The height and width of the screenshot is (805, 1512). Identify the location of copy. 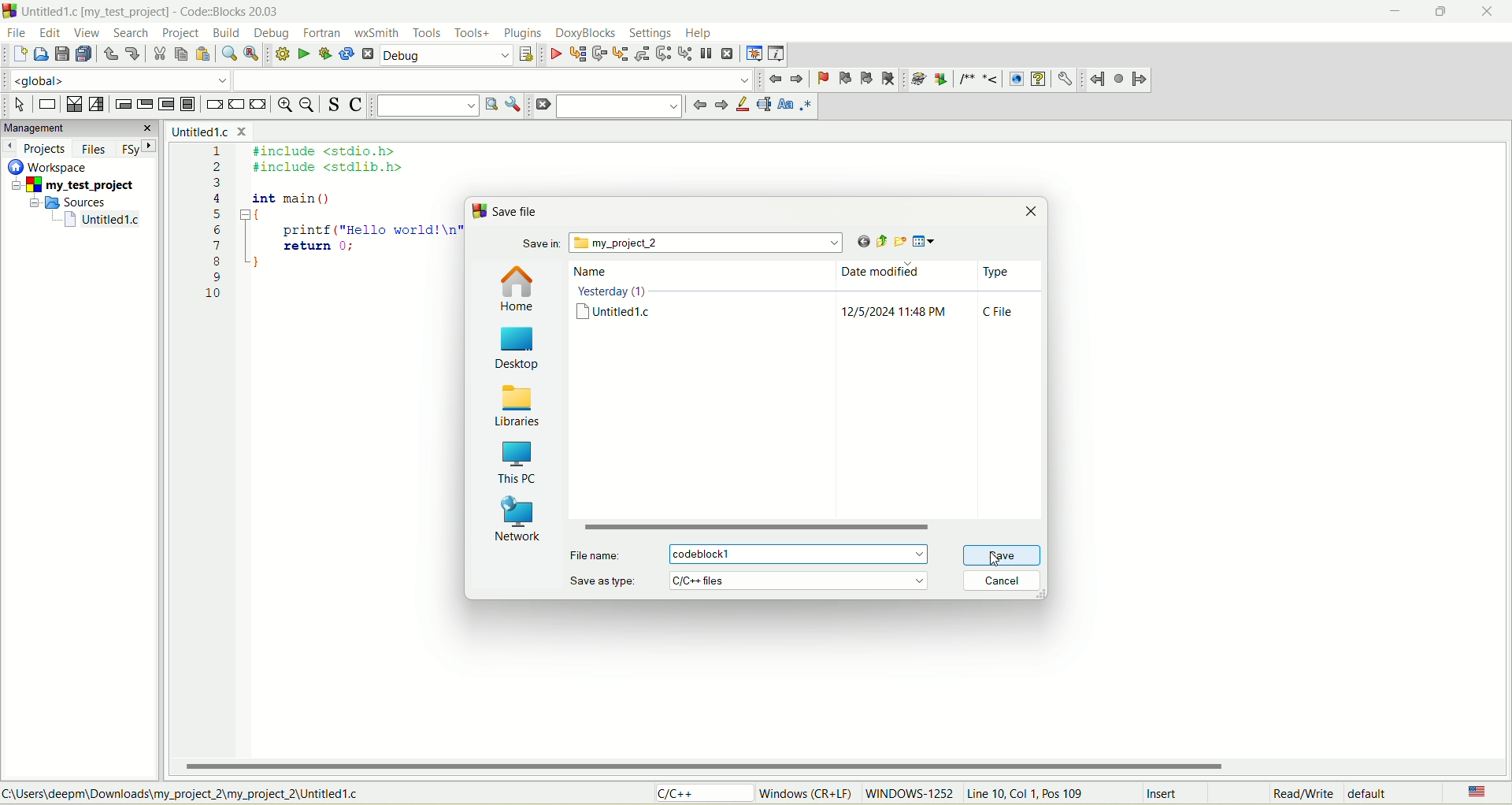
(180, 54).